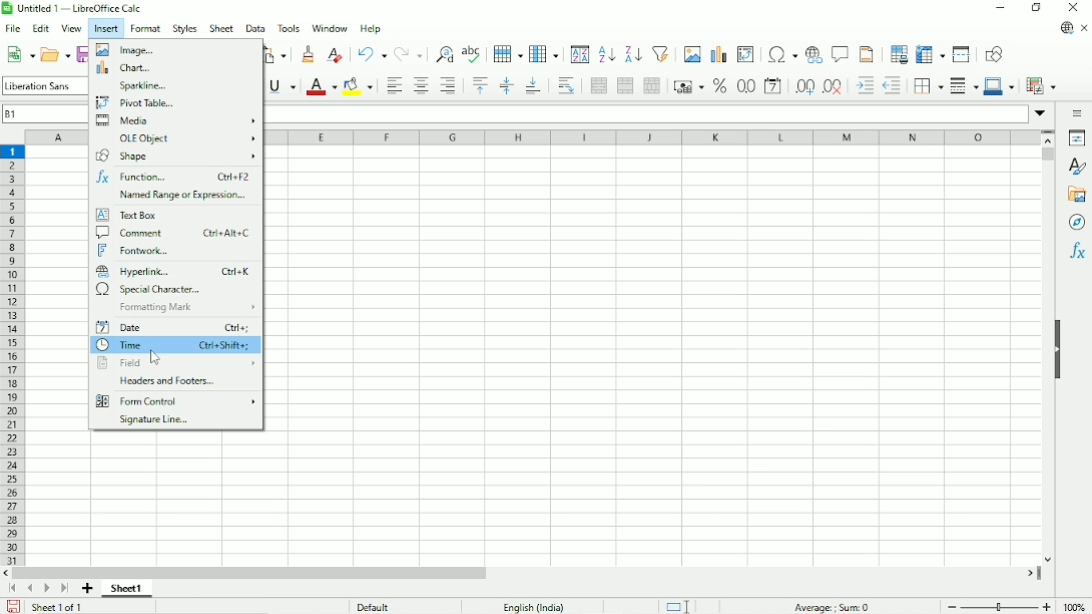  What do you see at coordinates (1001, 8) in the screenshot?
I see `Minimize` at bounding box center [1001, 8].